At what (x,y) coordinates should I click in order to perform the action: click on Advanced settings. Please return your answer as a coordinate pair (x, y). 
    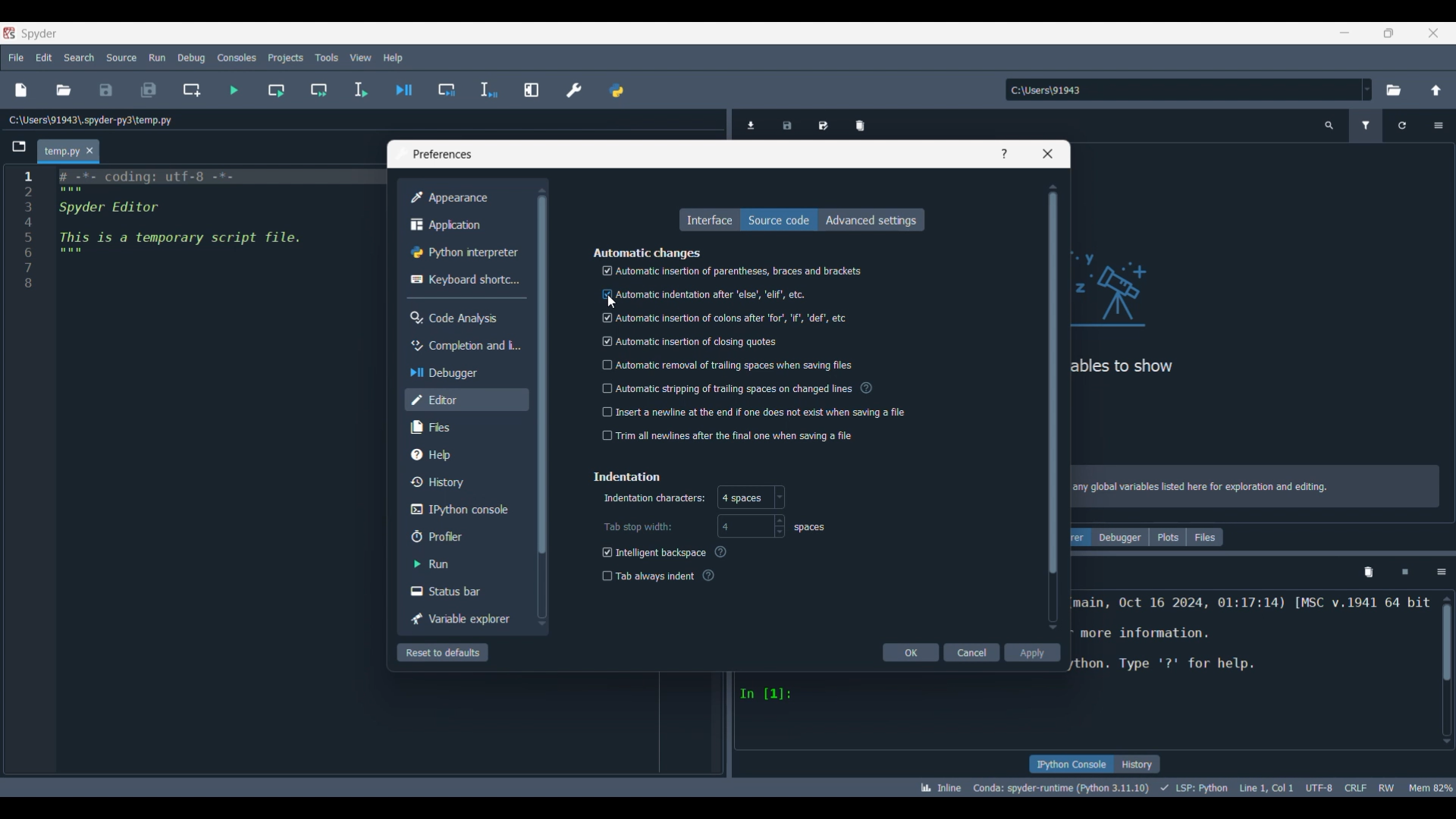
    Looking at the image, I should click on (871, 220).